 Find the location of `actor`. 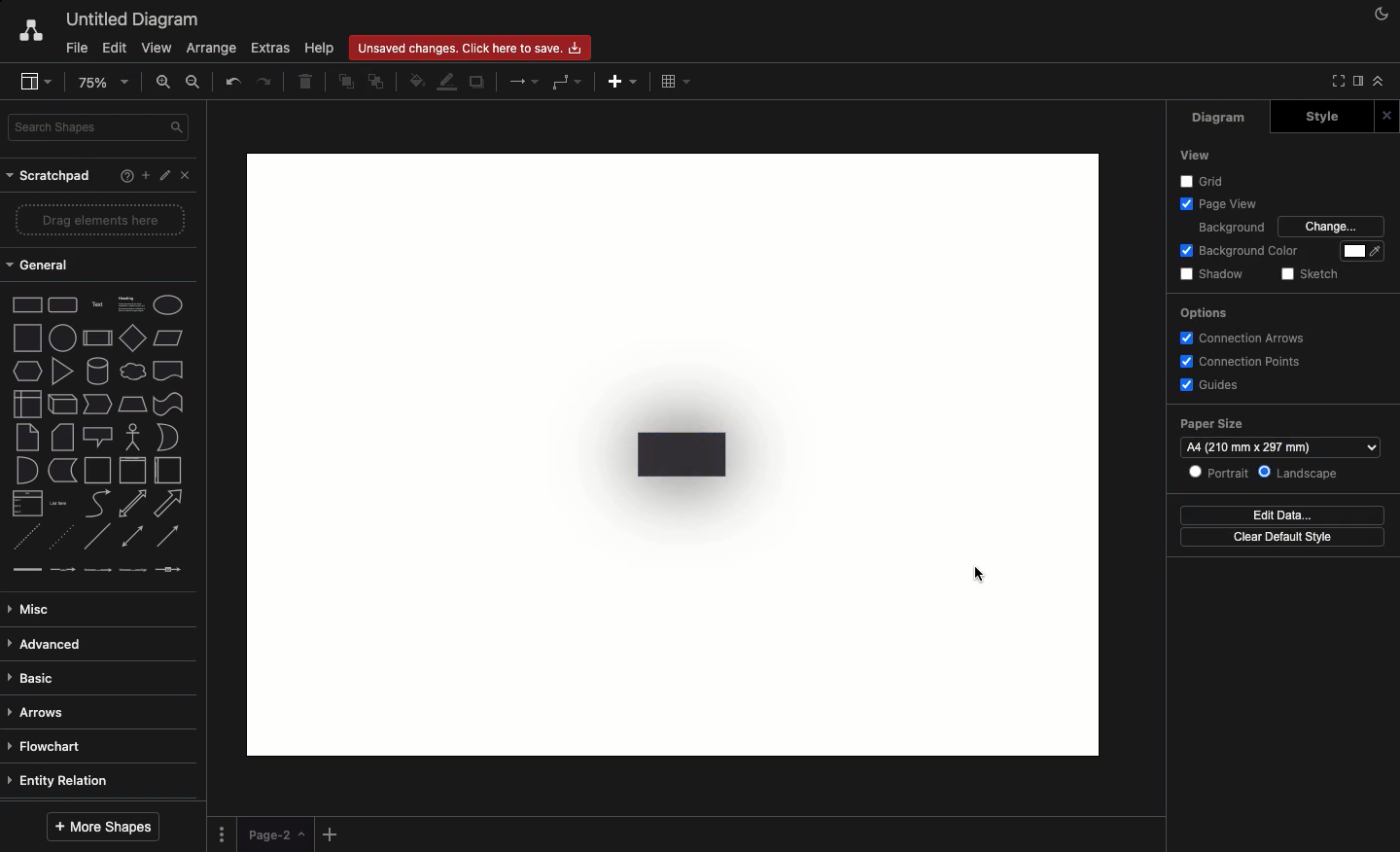

actor is located at coordinates (135, 437).